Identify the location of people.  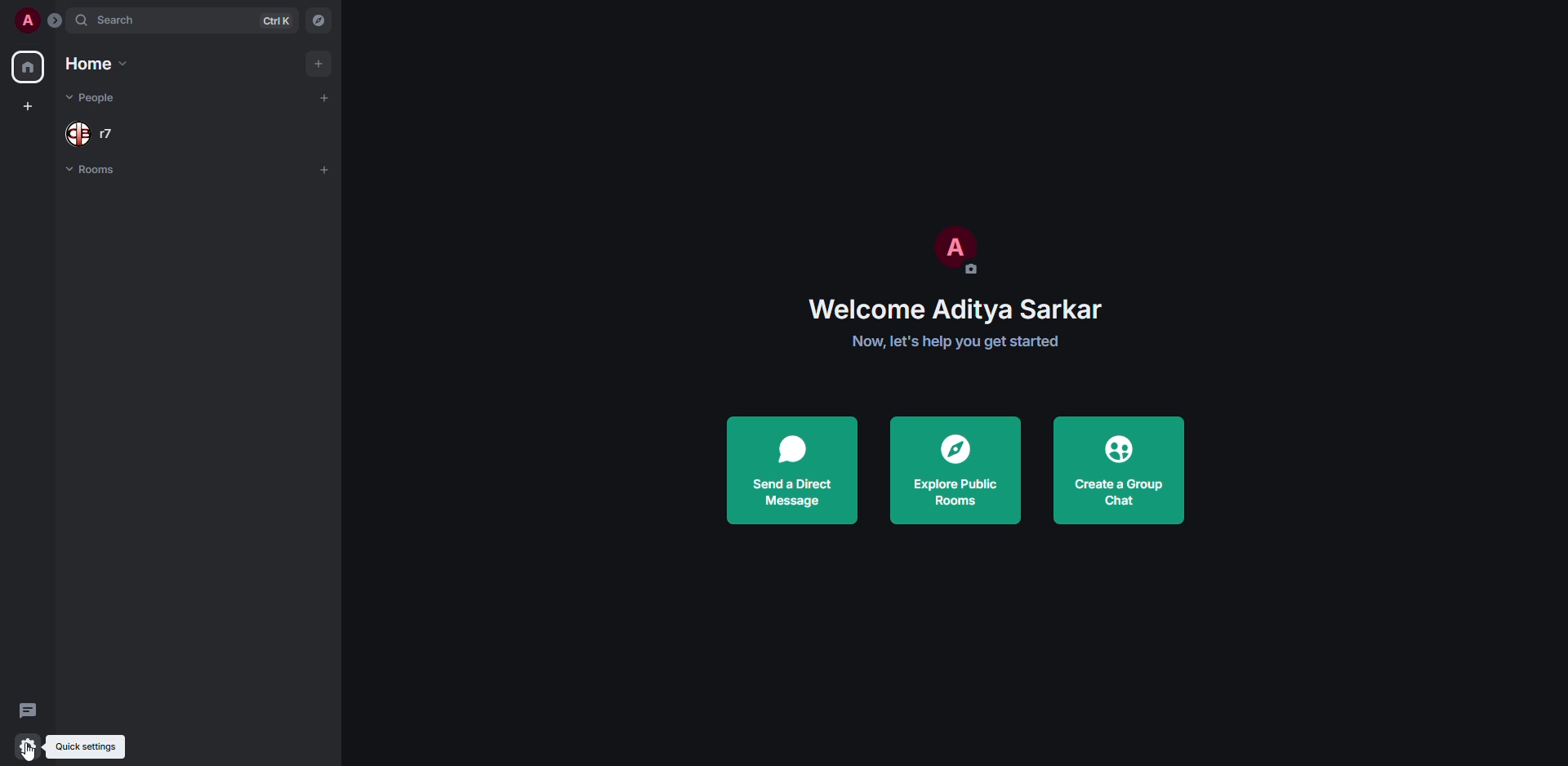
(91, 133).